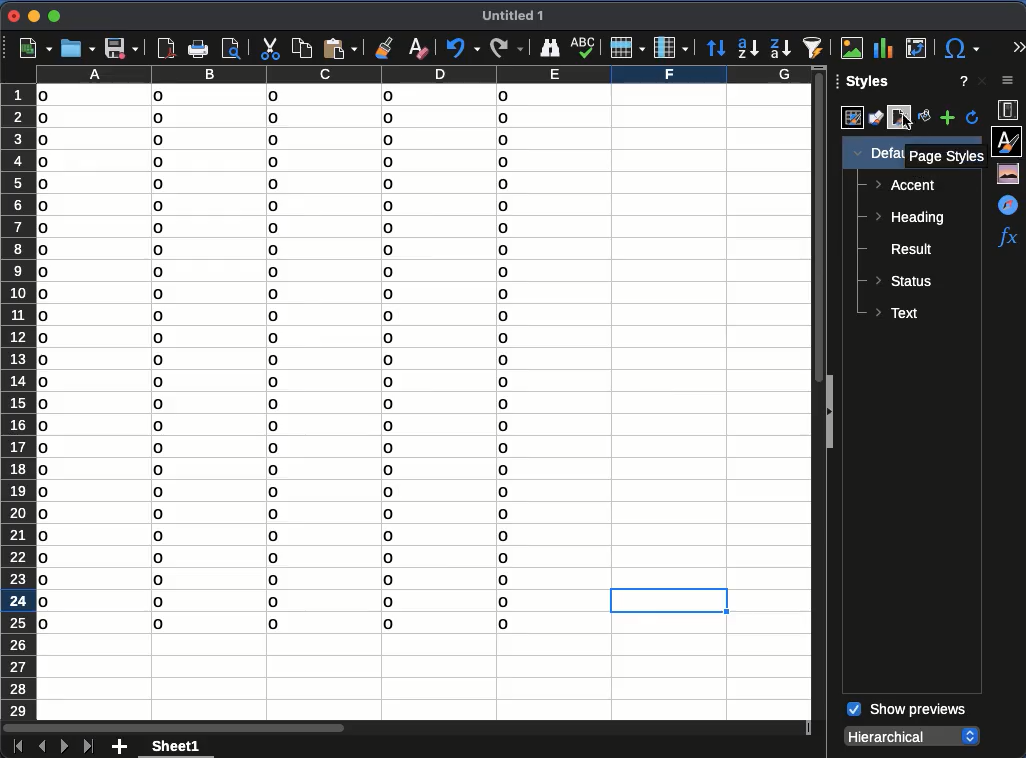  Describe the element at coordinates (34, 49) in the screenshot. I see `new` at that location.